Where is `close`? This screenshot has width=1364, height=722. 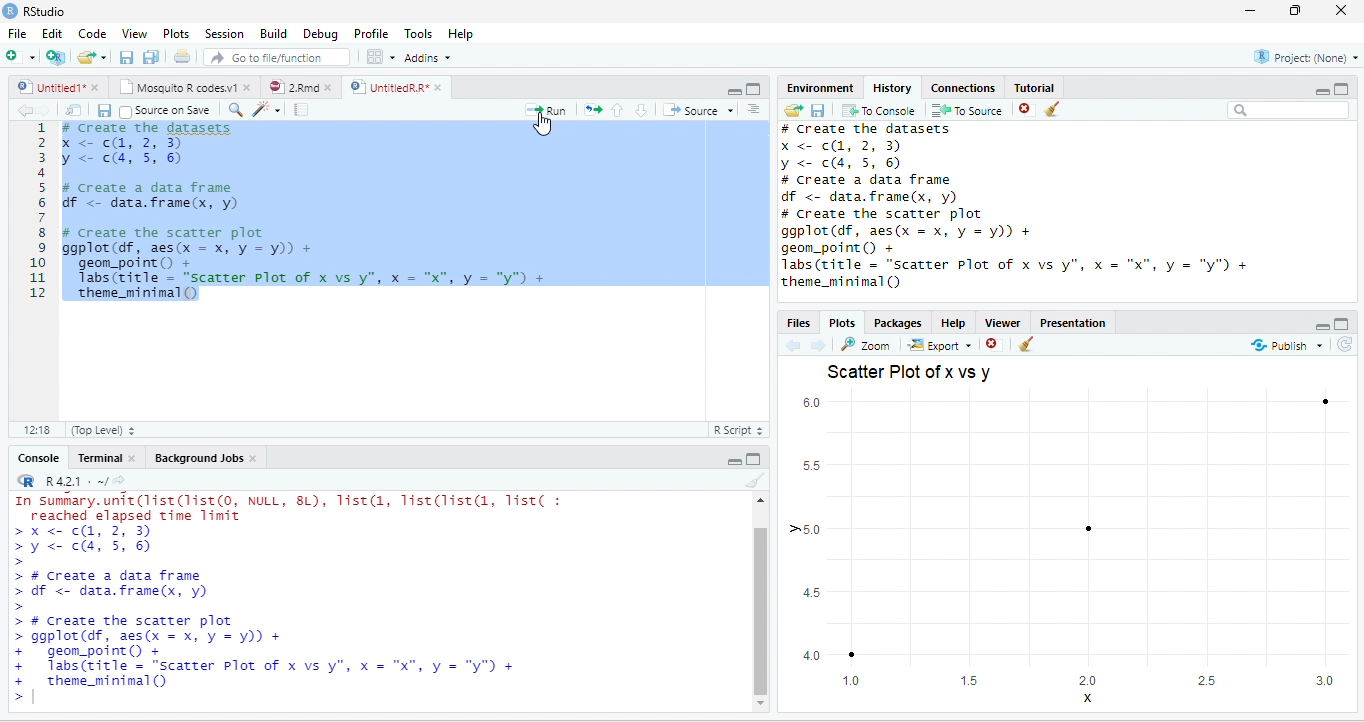 close is located at coordinates (246, 87).